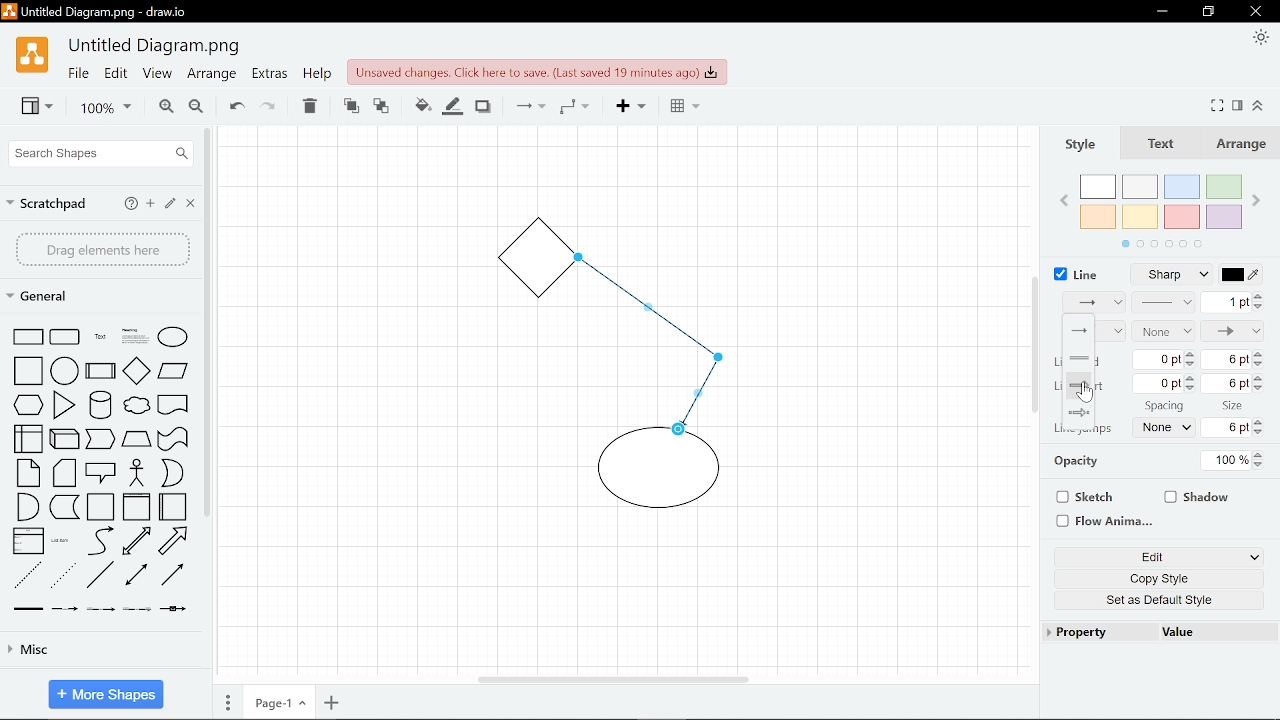 This screenshot has width=1280, height=720. I want to click on Undo, so click(234, 106).